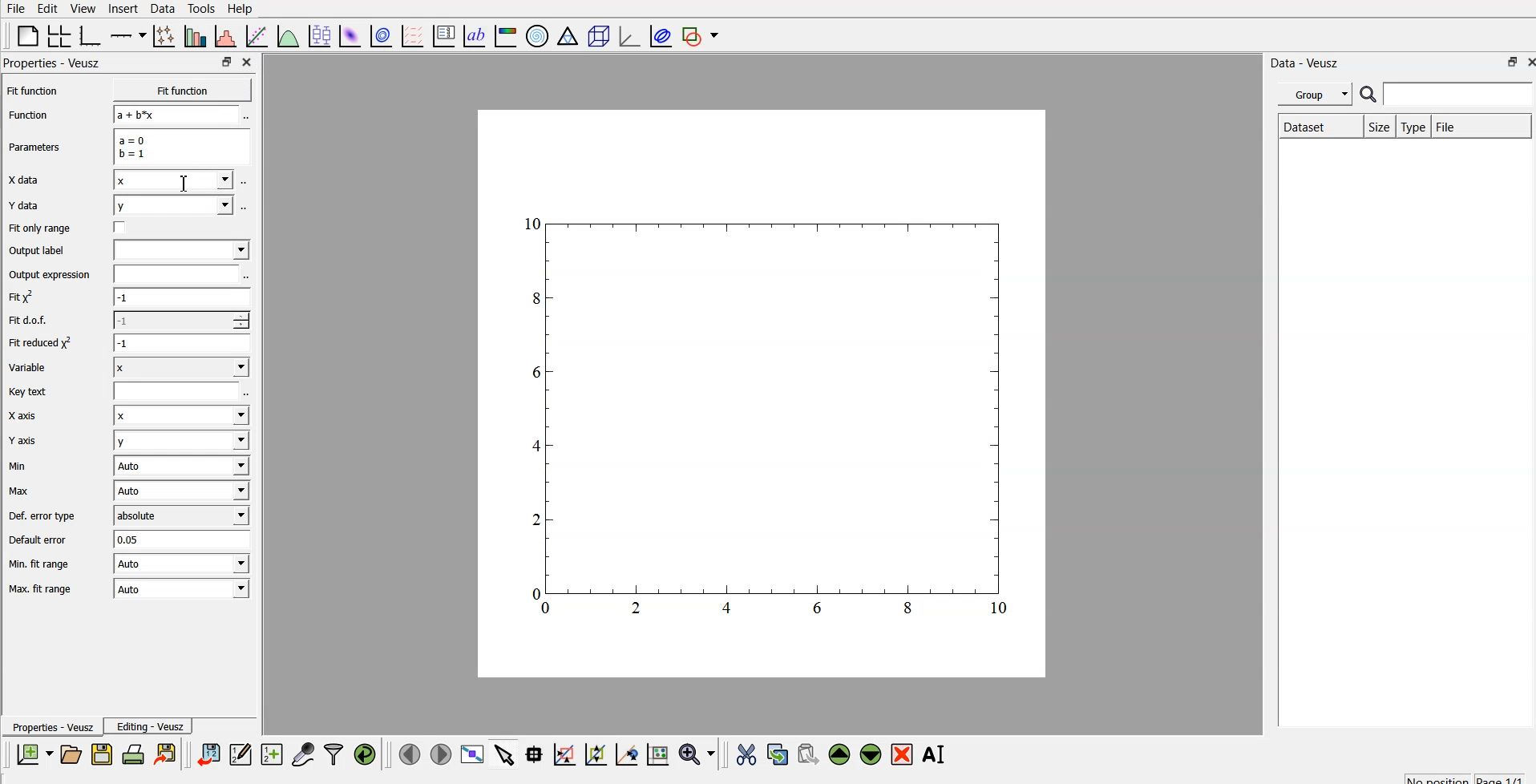  I want to click on | Auto, so click(181, 564).